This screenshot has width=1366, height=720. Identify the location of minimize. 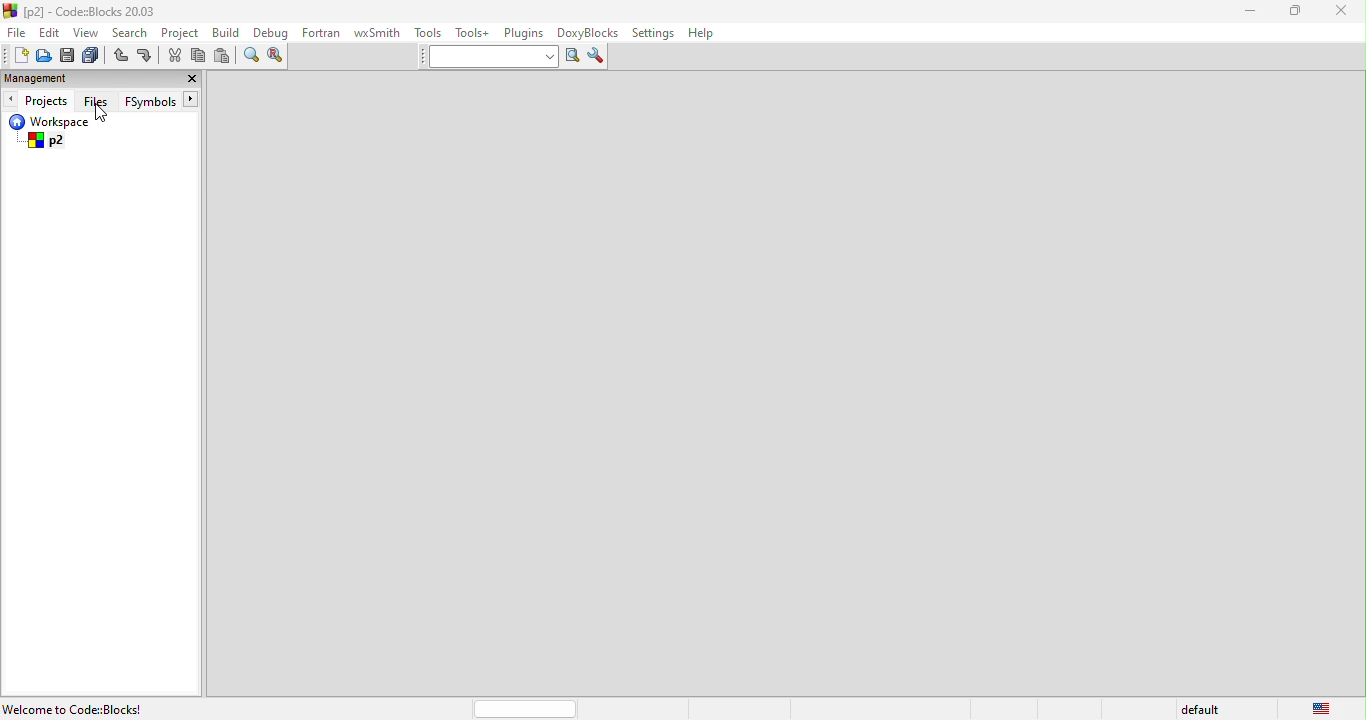
(1254, 12).